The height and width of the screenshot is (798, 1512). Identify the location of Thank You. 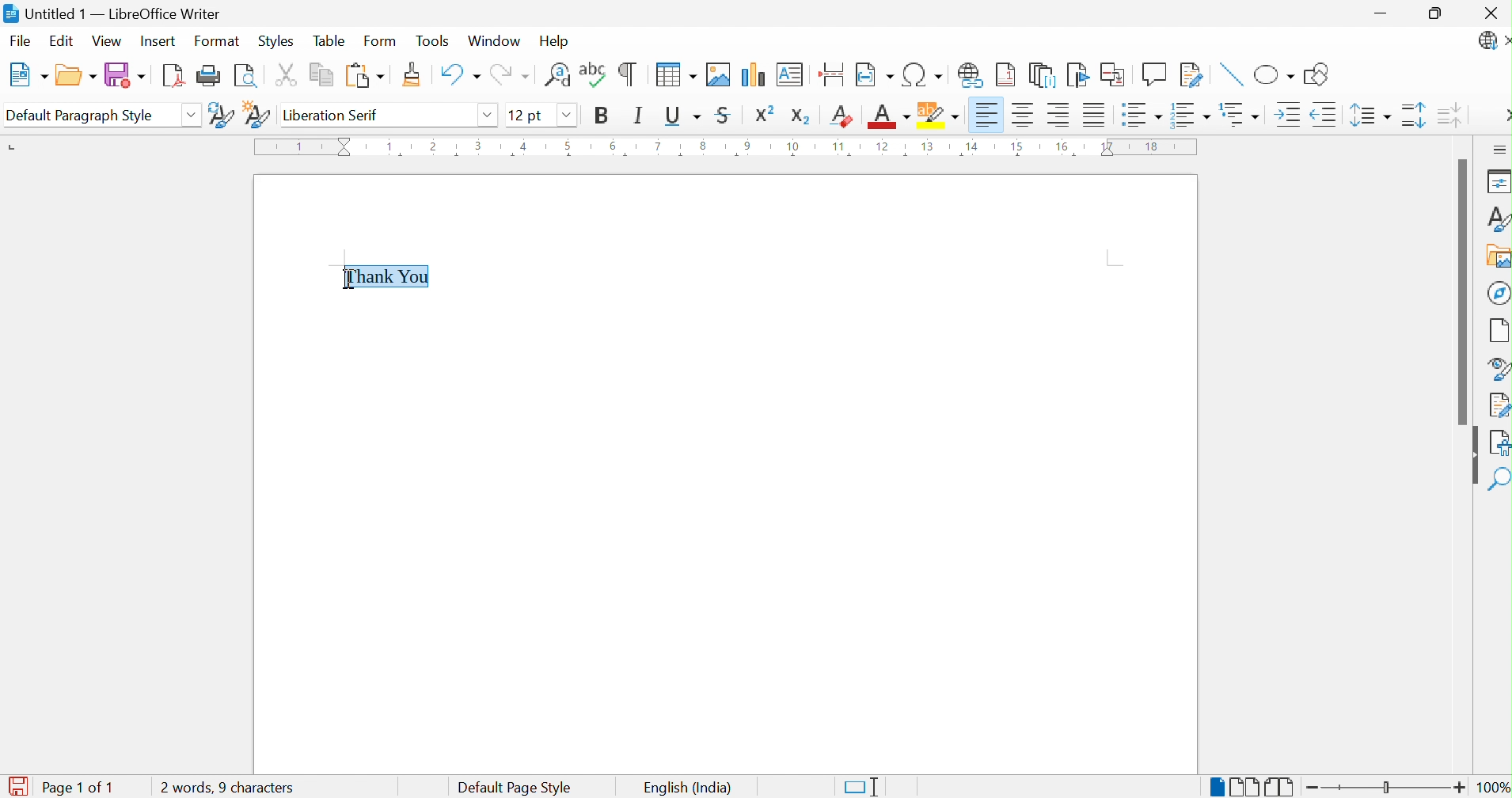
(391, 277).